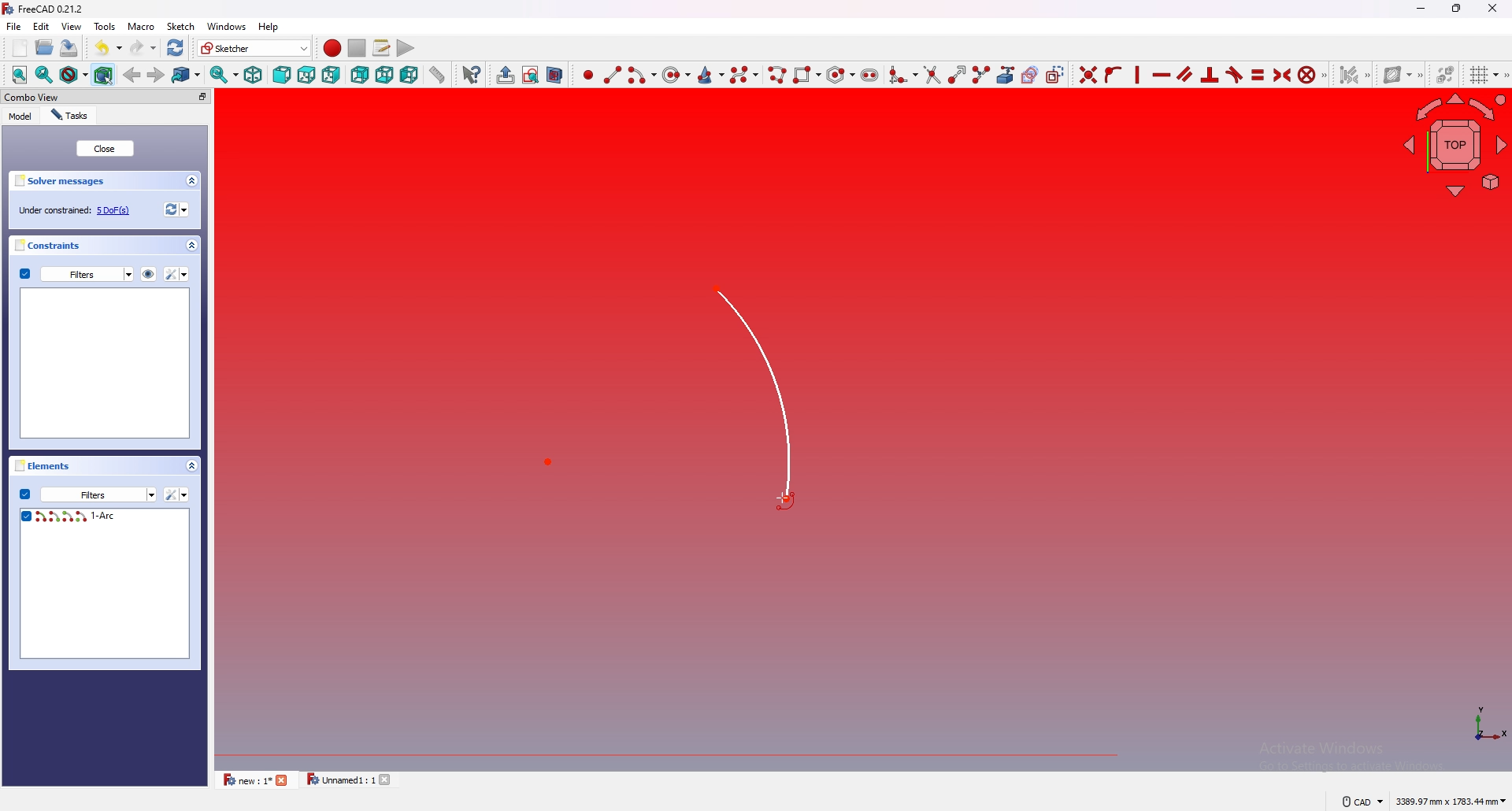 The width and height of the screenshot is (1512, 811). Describe the element at coordinates (87, 494) in the screenshot. I see `filters` at that location.